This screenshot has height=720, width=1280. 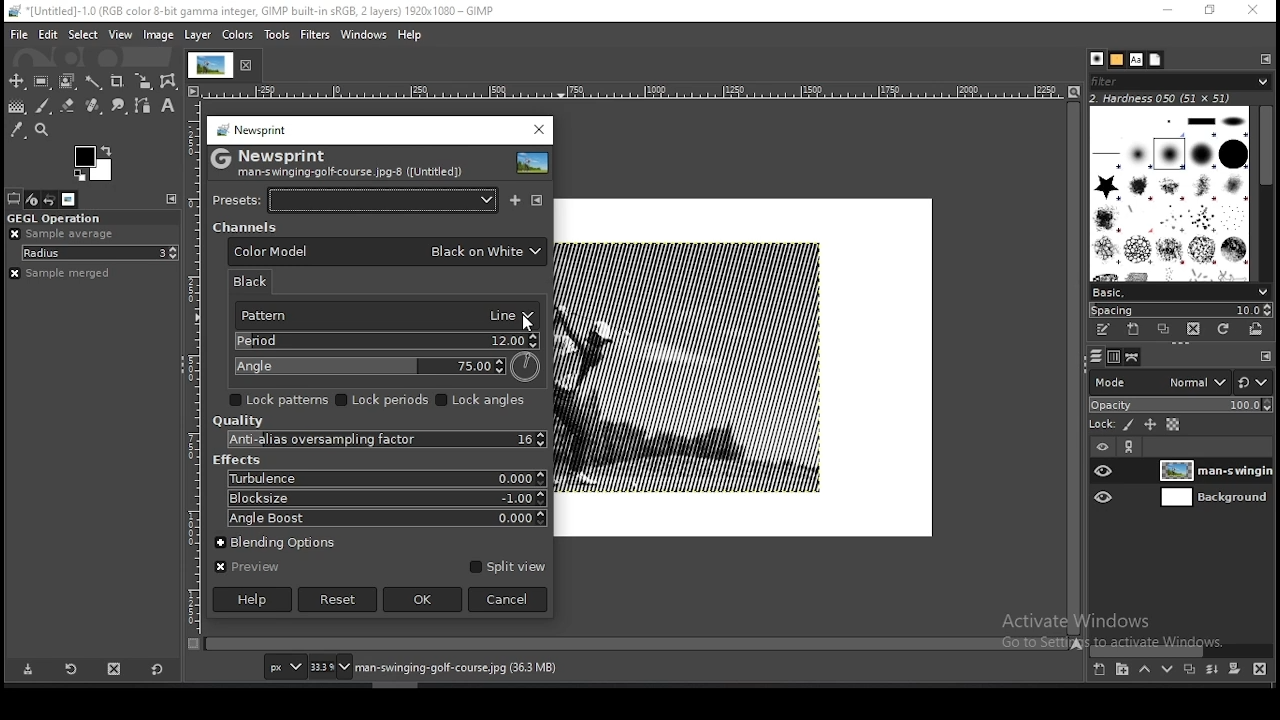 I want to click on period, so click(x=384, y=341).